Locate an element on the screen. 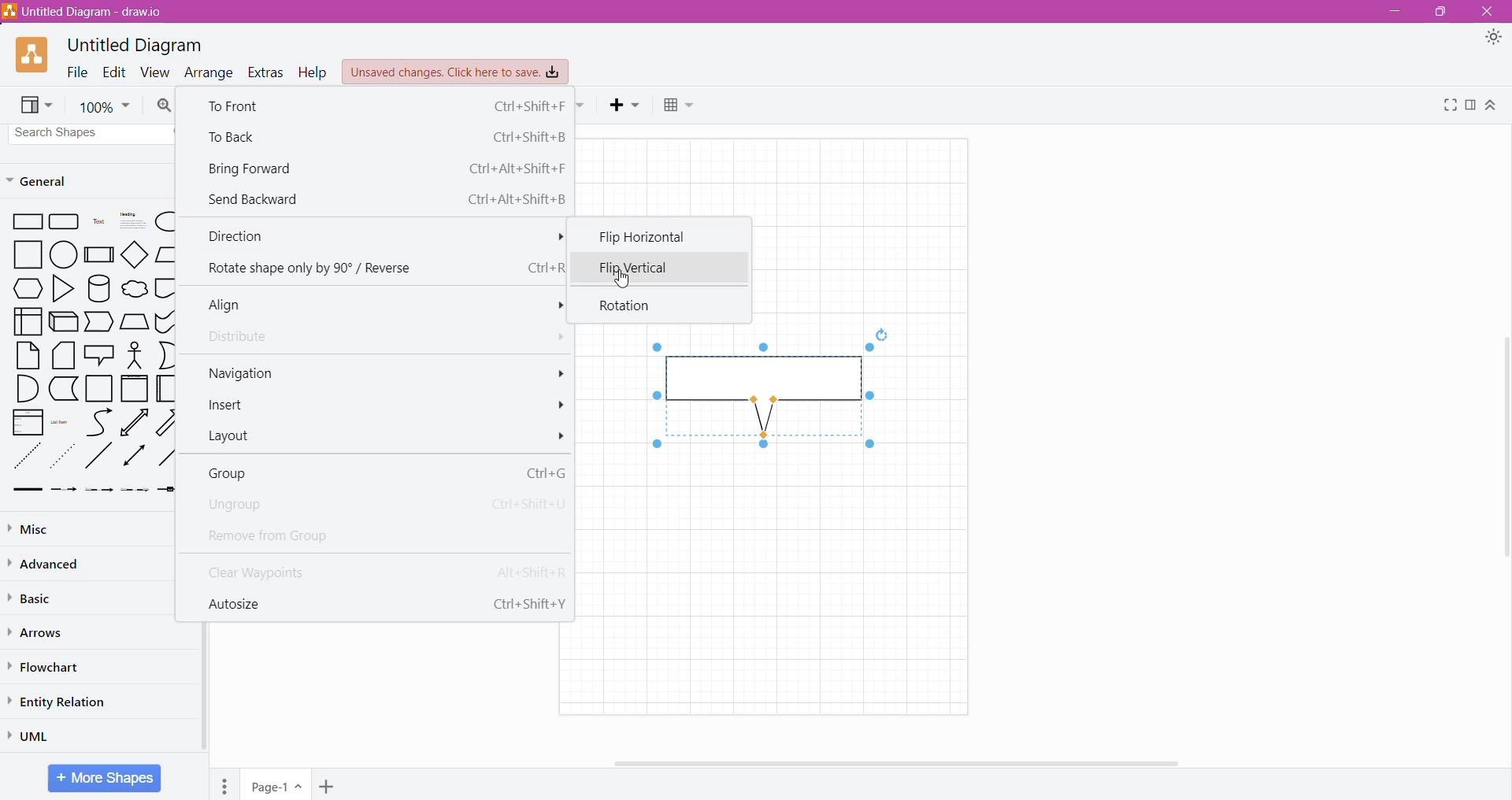 This screenshot has width=1512, height=800. Appearance is located at coordinates (1493, 39).